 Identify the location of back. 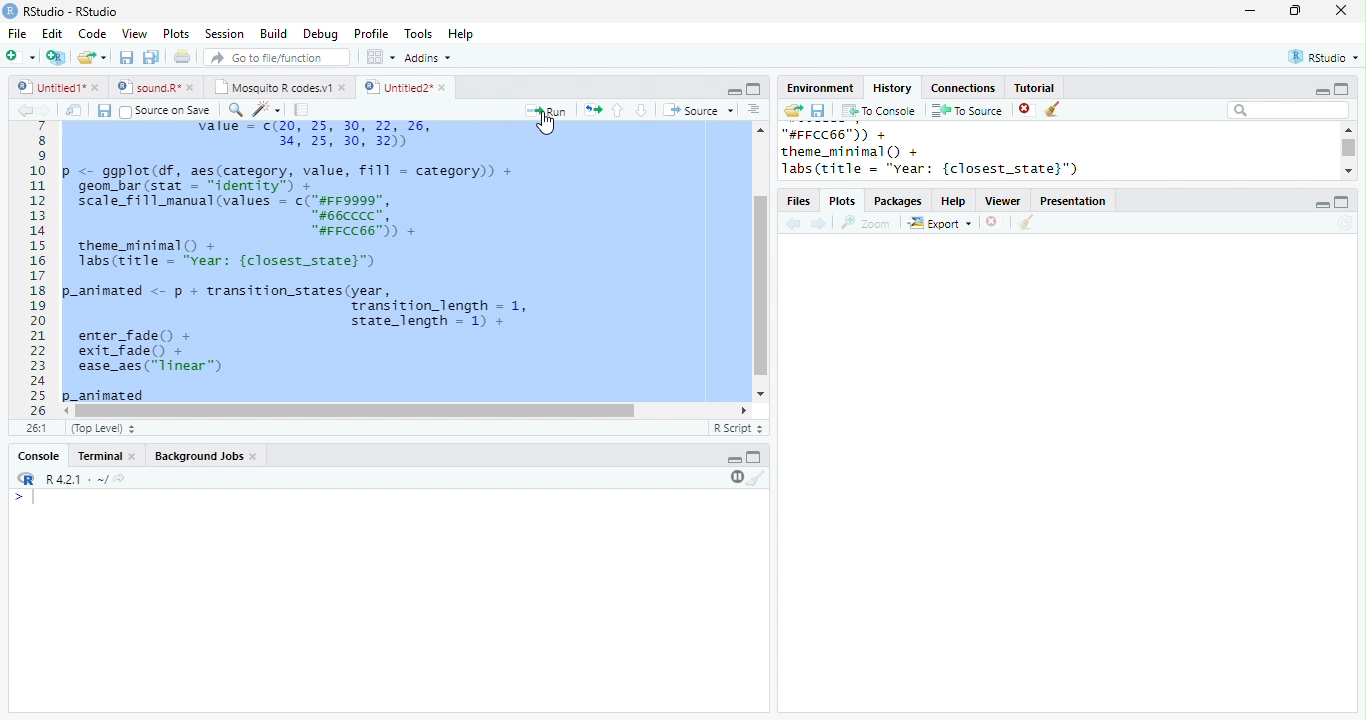
(23, 110).